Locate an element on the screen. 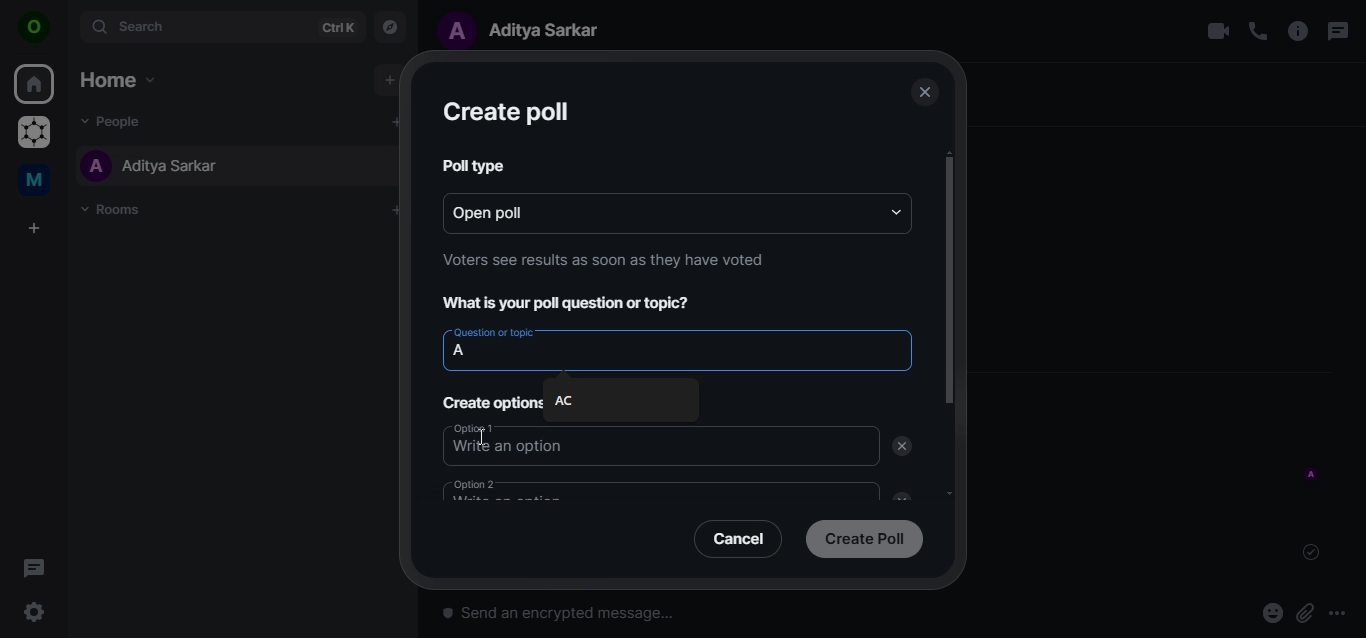 The height and width of the screenshot is (638, 1366). add is located at coordinates (388, 80).